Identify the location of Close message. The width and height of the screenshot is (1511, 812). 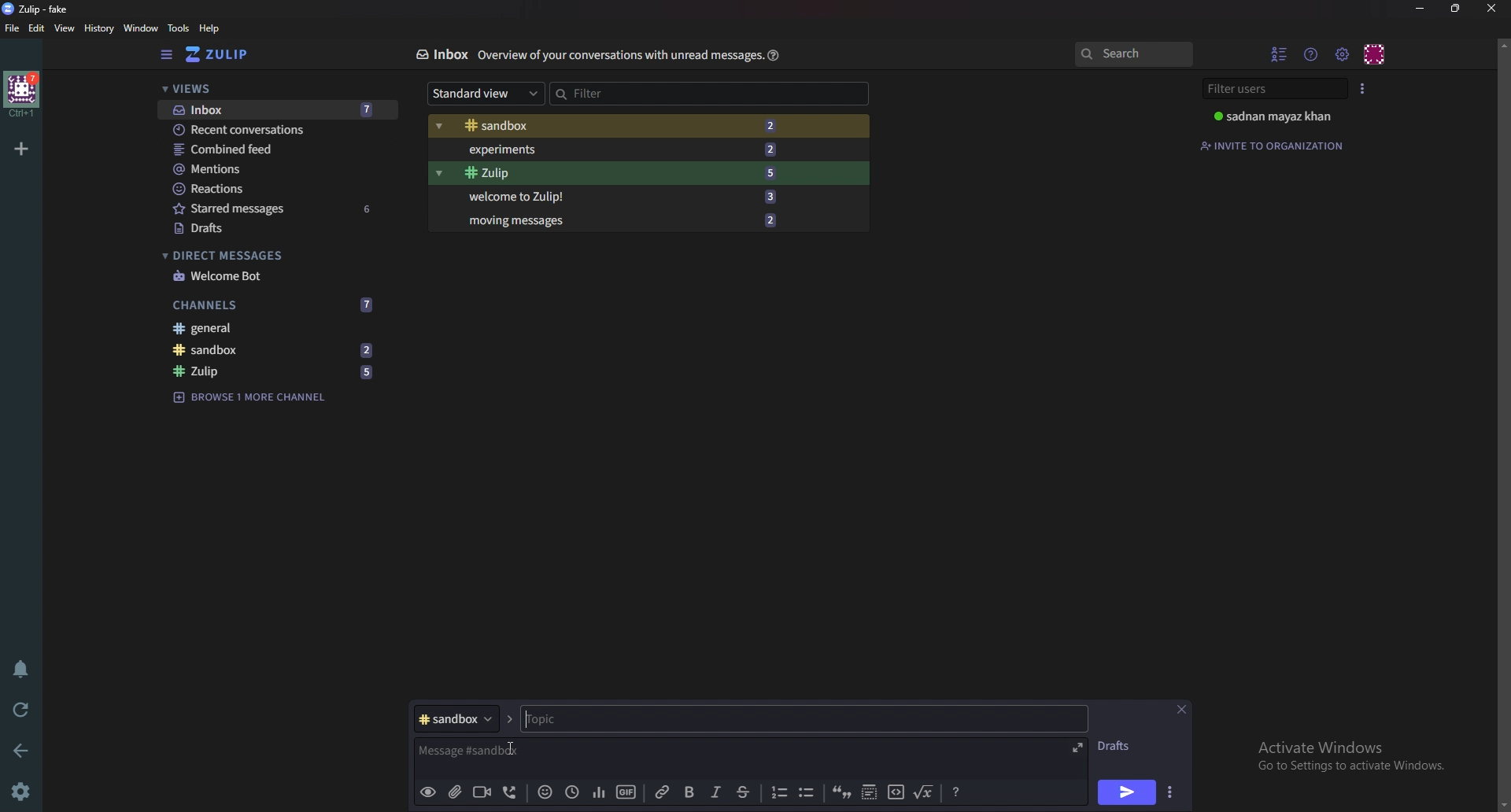
(1180, 710).